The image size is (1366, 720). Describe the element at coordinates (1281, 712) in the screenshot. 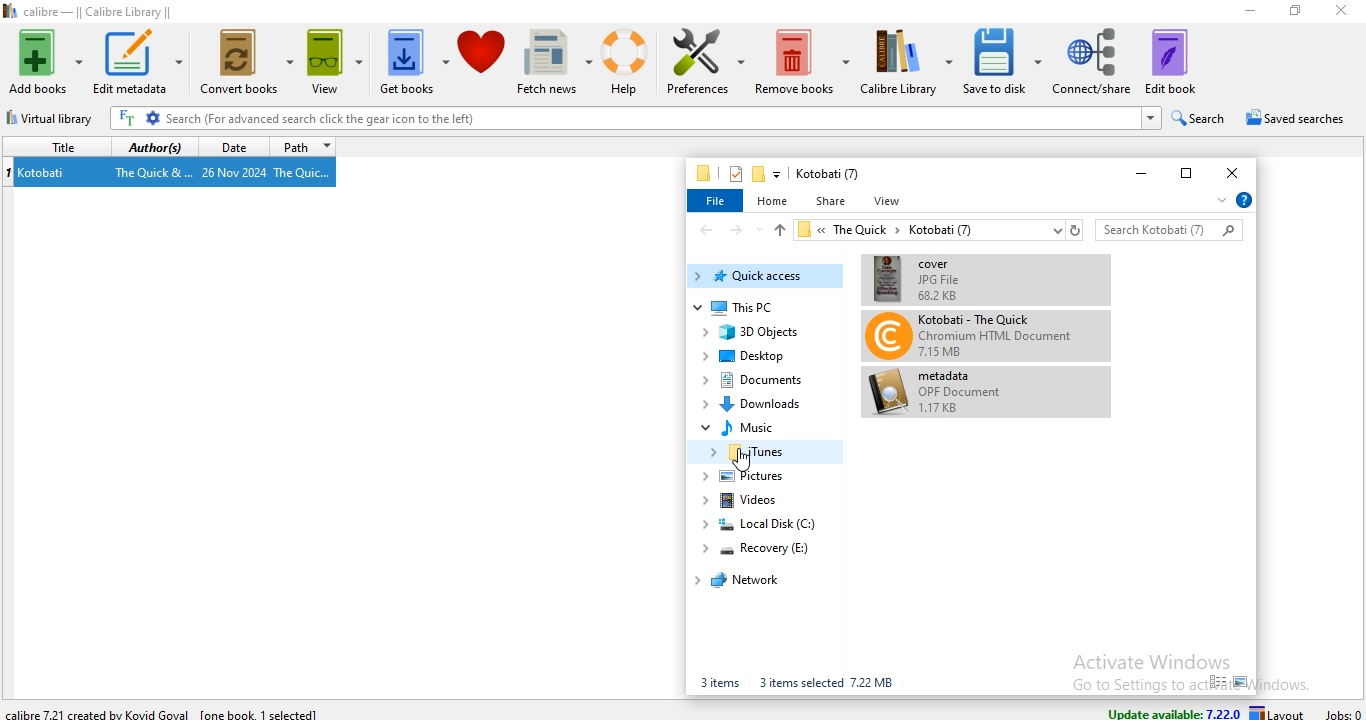

I see `layout` at that location.